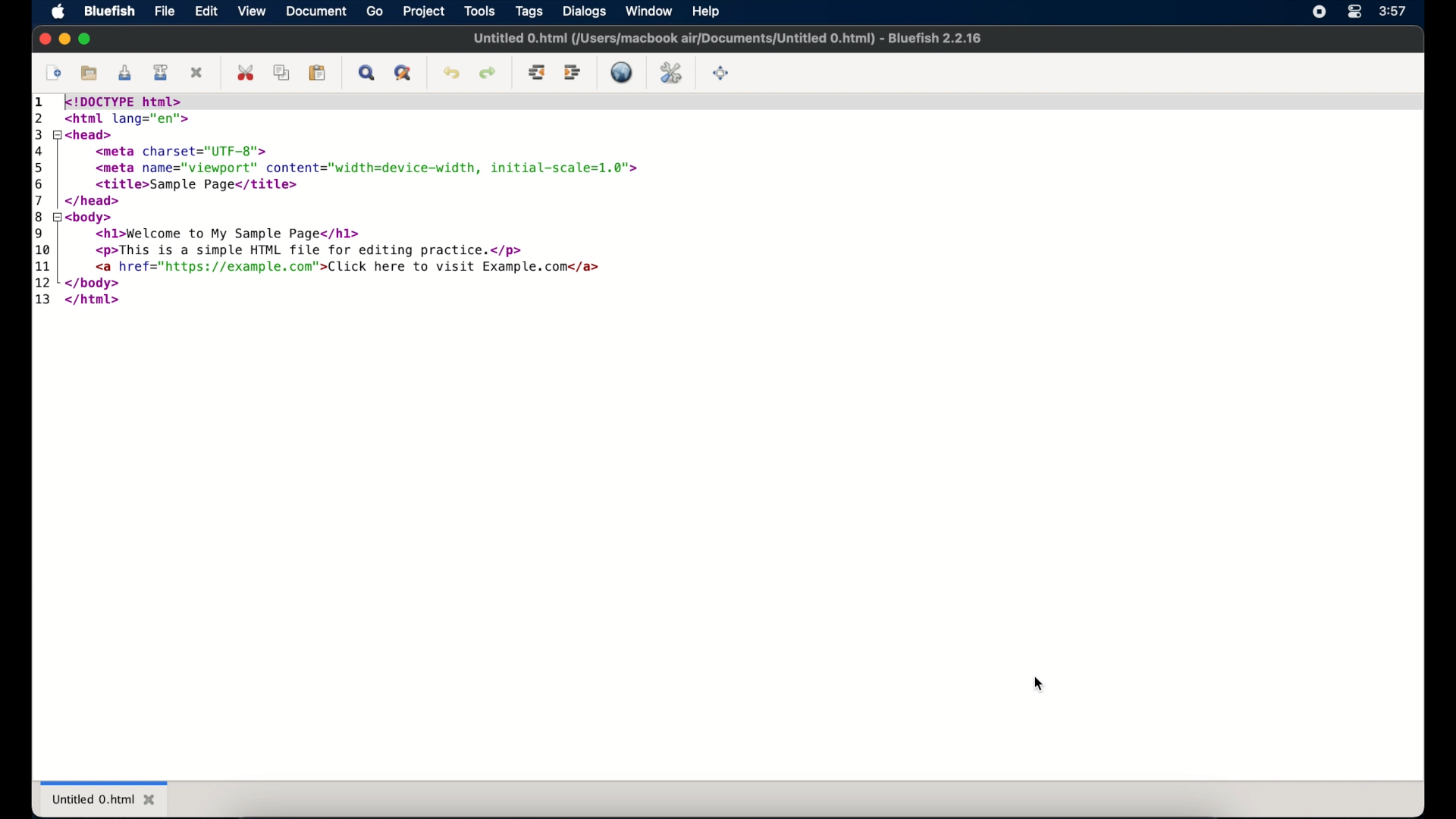 This screenshot has height=819, width=1456. Describe the element at coordinates (451, 74) in the screenshot. I see `undo ` at that location.